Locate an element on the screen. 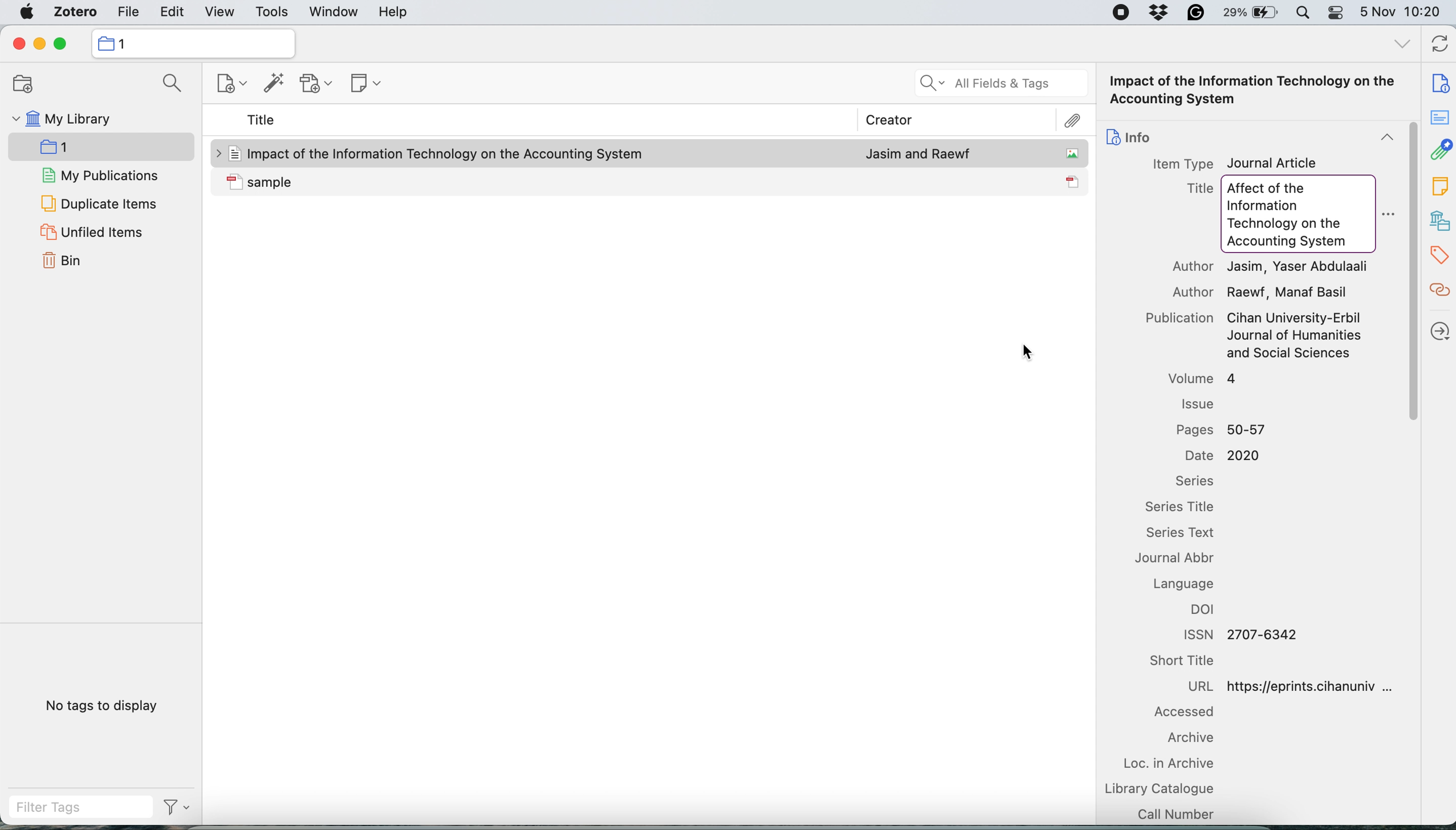 Image resolution: width=1456 pixels, height=830 pixels. 5 Nov 10:20 is located at coordinates (1401, 12).